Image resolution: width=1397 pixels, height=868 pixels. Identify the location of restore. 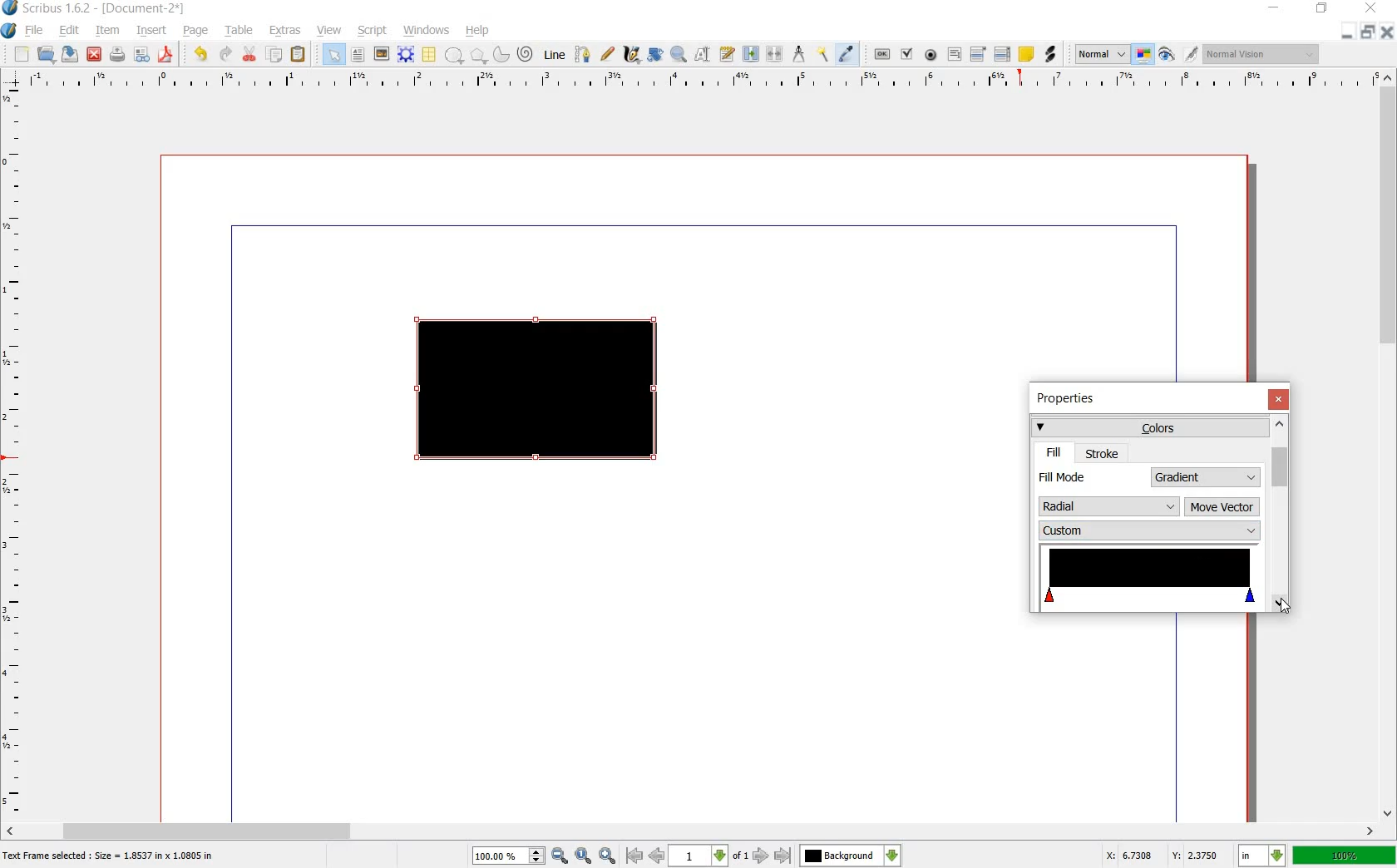
(1367, 33).